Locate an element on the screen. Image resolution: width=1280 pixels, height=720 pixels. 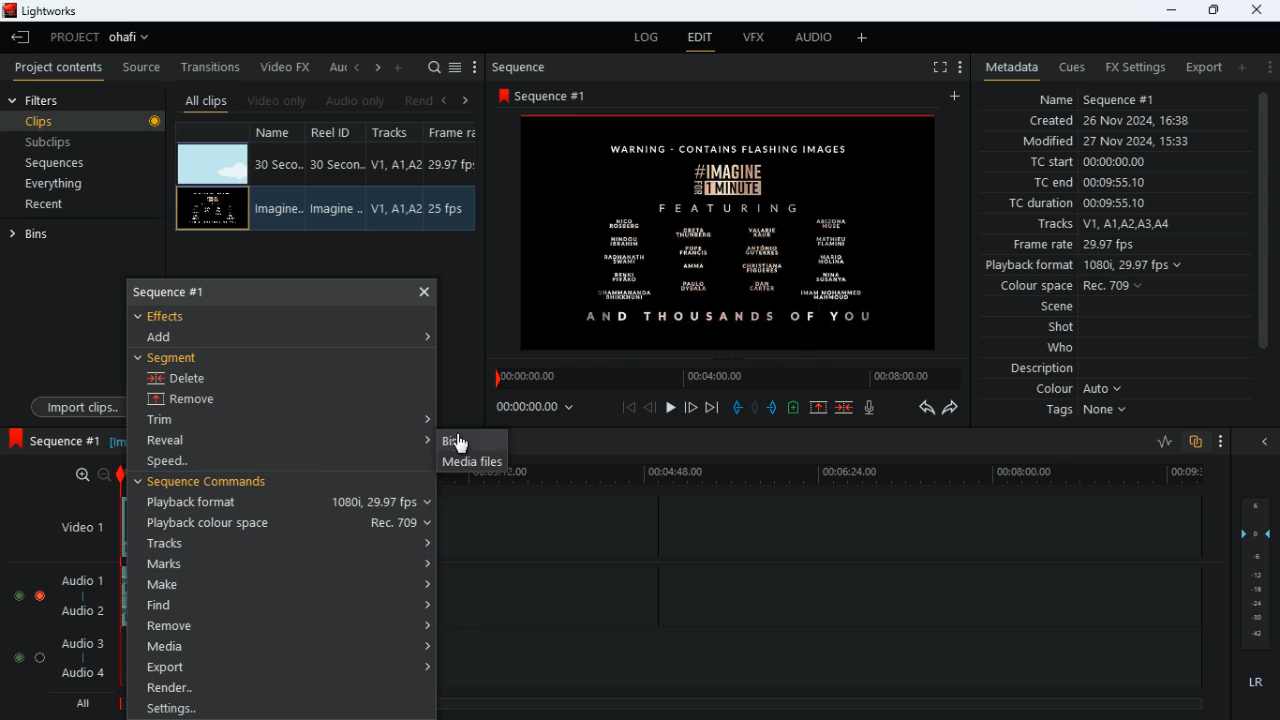
toggle is located at coordinates (39, 657).